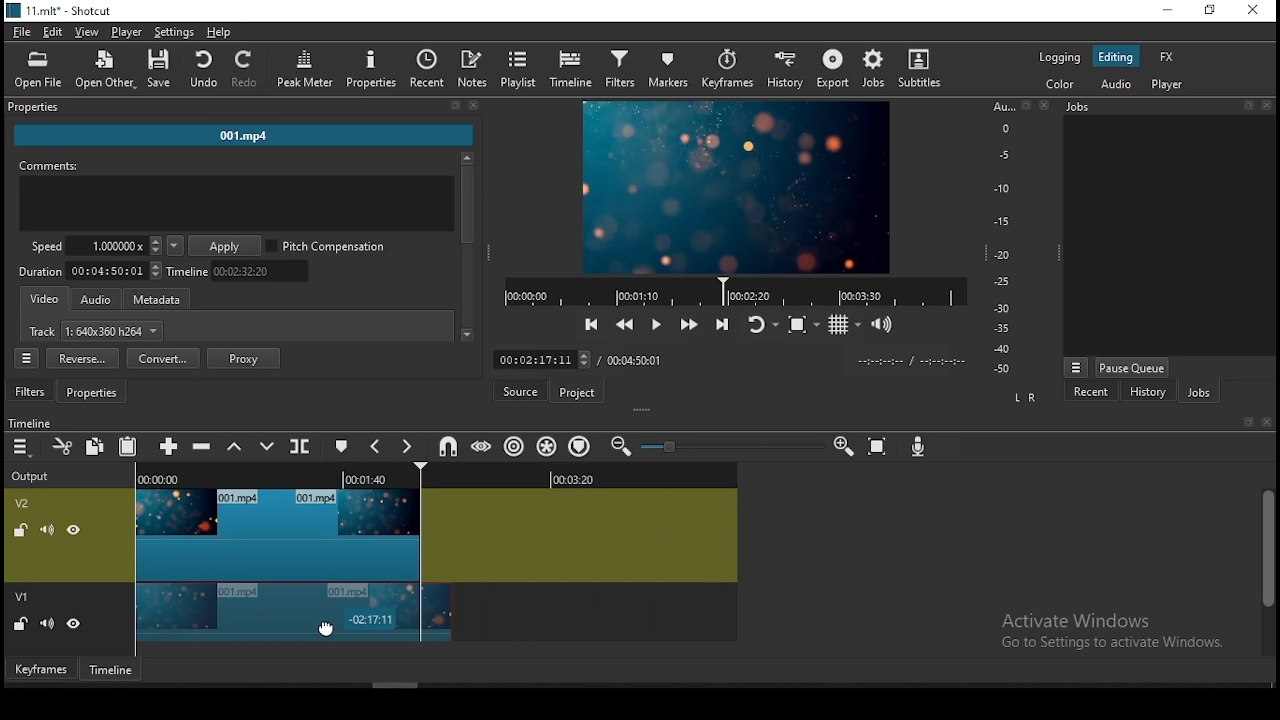 Image resolution: width=1280 pixels, height=720 pixels. Describe the element at coordinates (734, 189) in the screenshot. I see `video preview` at that location.